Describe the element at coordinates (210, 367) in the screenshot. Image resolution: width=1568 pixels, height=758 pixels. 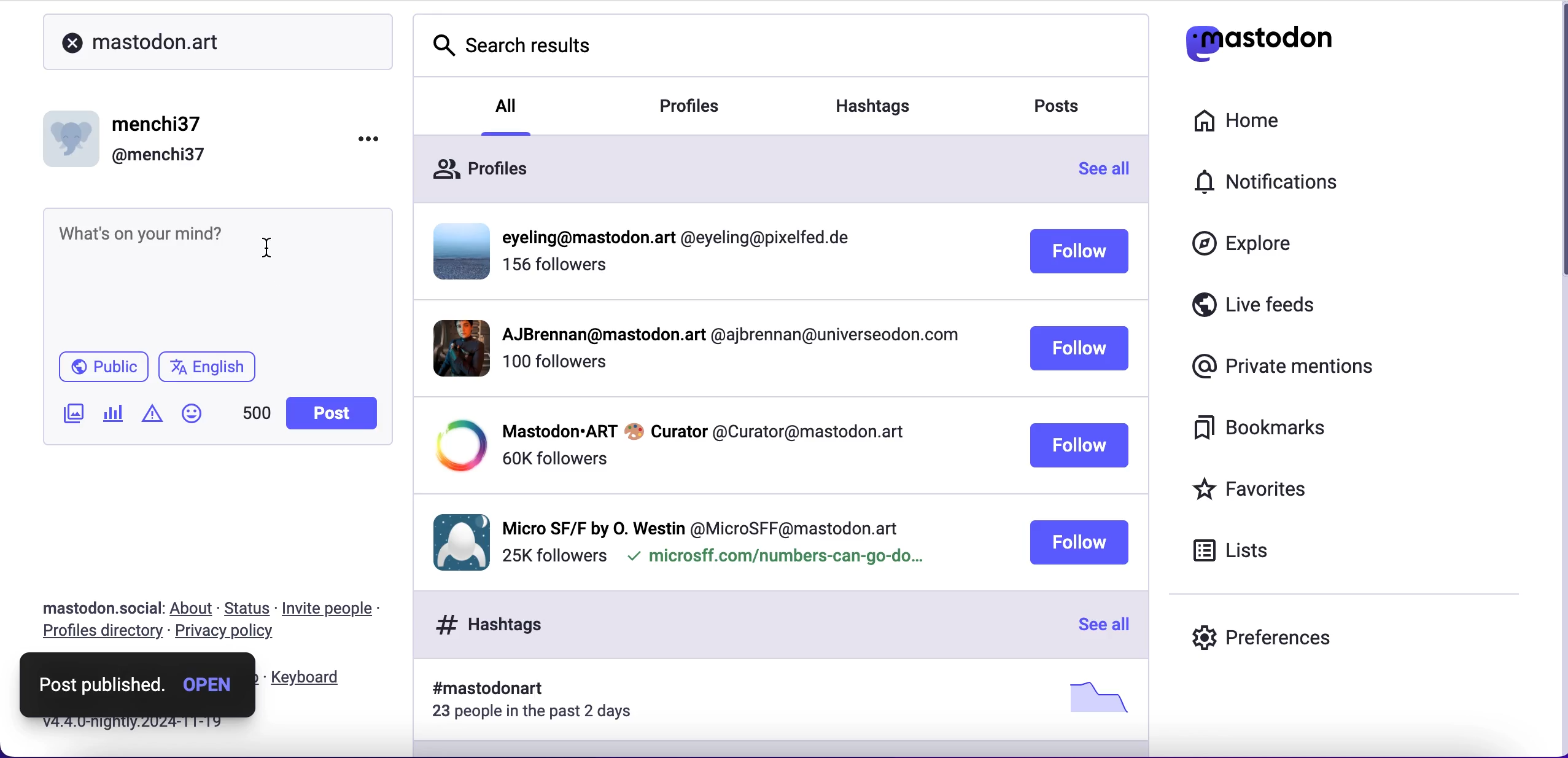
I see `english` at that location.